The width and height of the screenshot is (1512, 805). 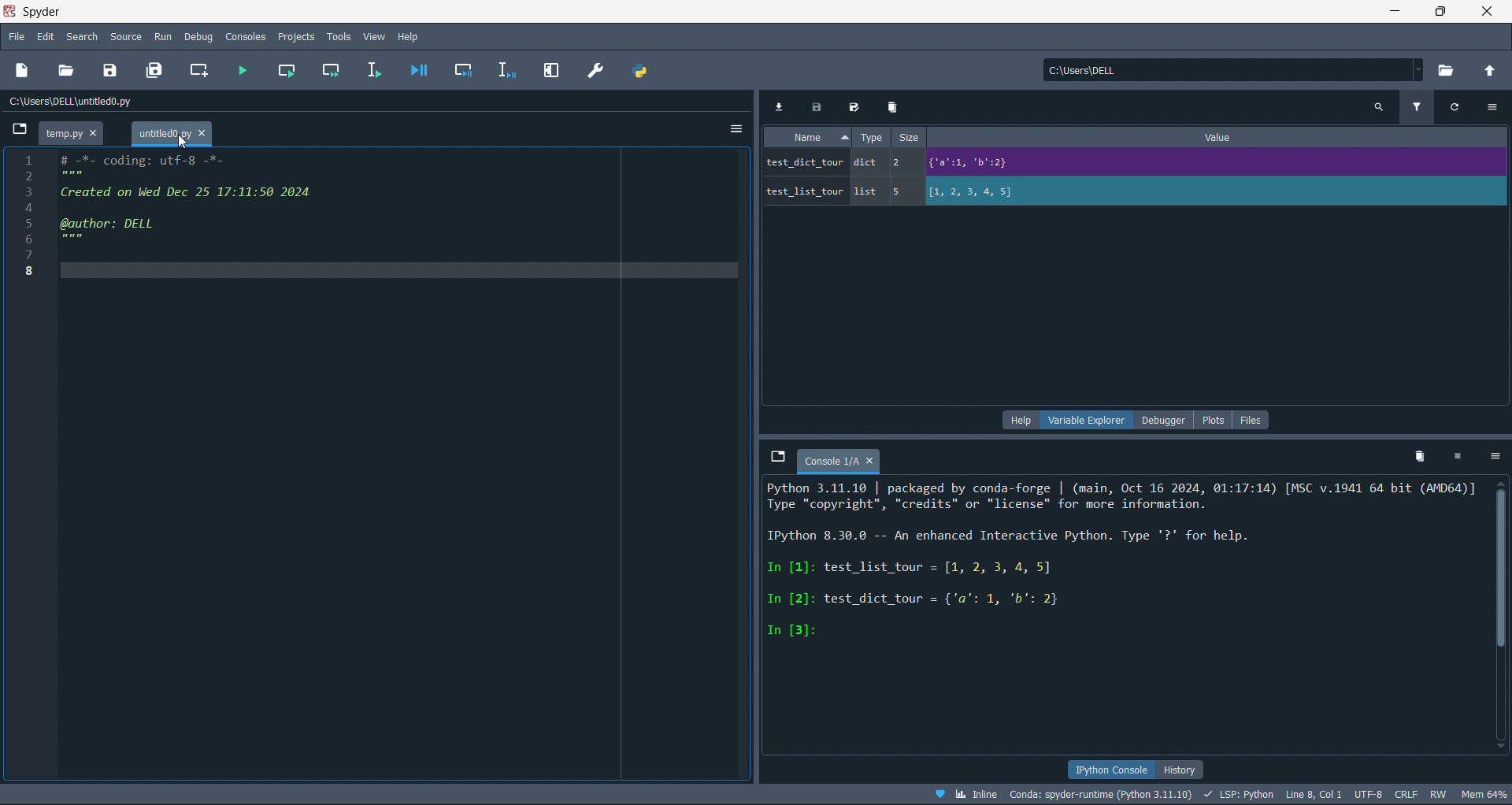 I want to click on type, so click(x=873, y=138).